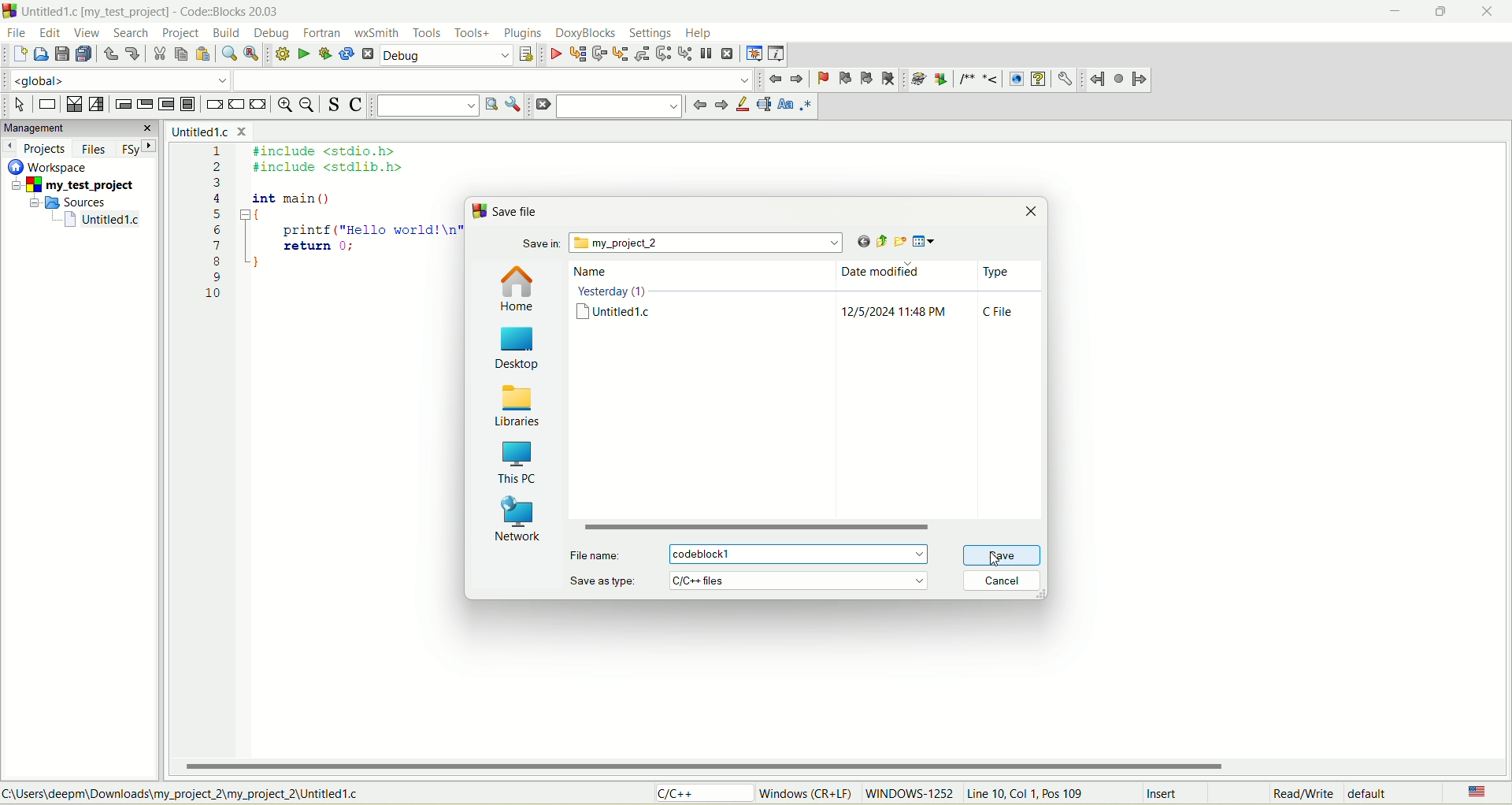 The image size is (1512, 805). What do you see at coordinates (427, 33) in the screenshot?
I see `tools` at bounding box center [427, 33].